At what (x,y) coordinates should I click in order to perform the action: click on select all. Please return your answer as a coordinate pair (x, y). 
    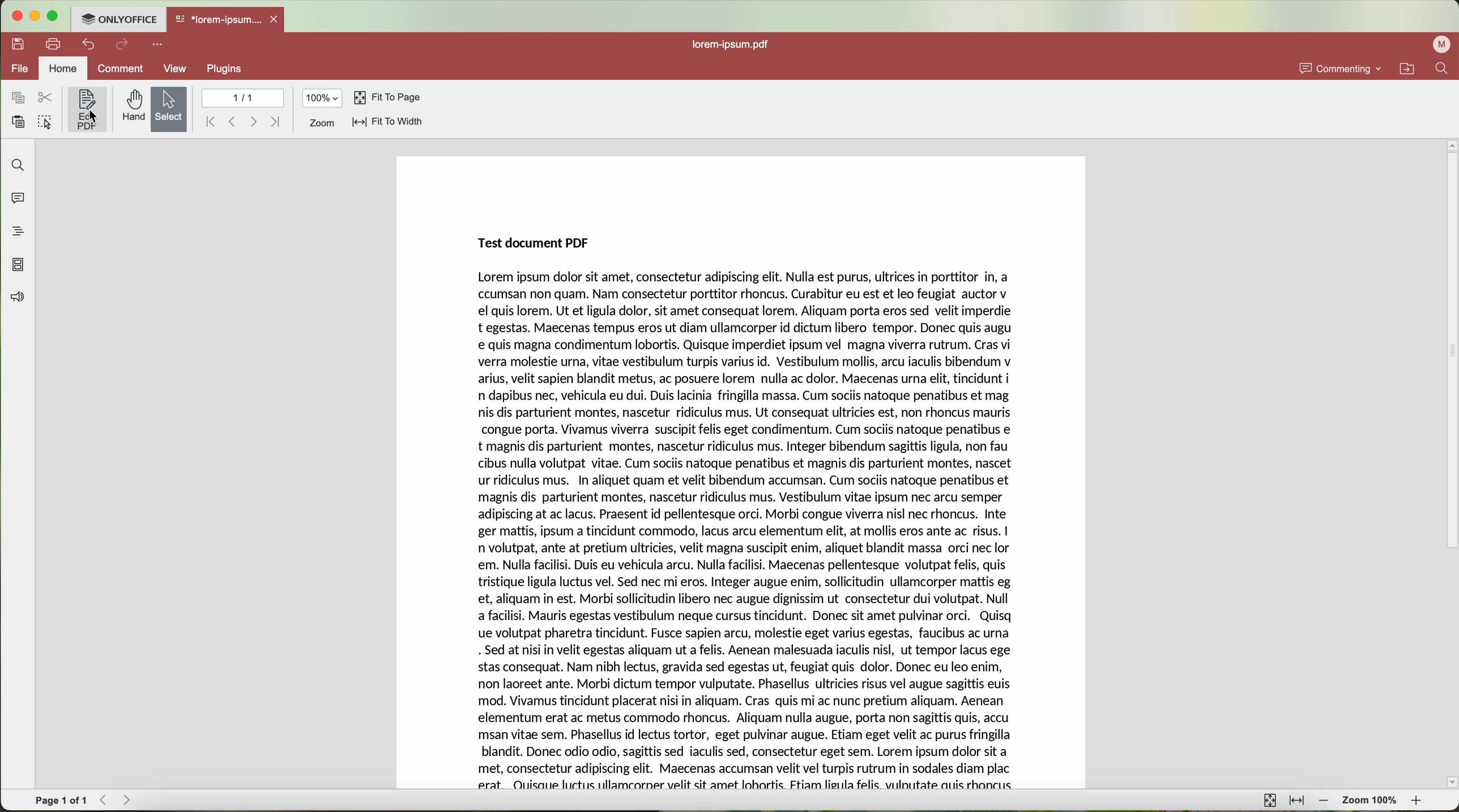
    Looking at the image, I should click on (45, 123).